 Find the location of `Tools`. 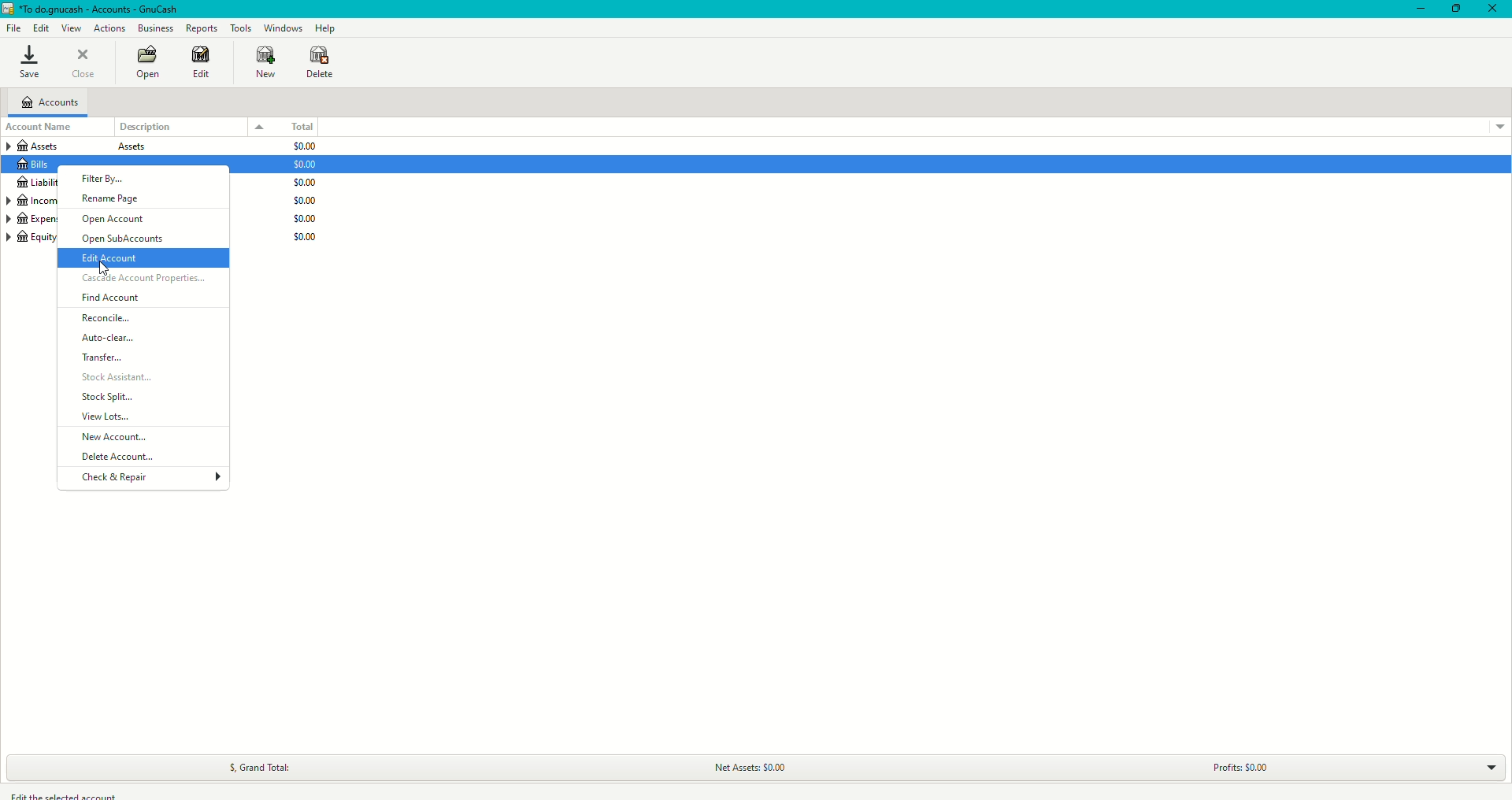

Tools is located at coordinates (243, 28).